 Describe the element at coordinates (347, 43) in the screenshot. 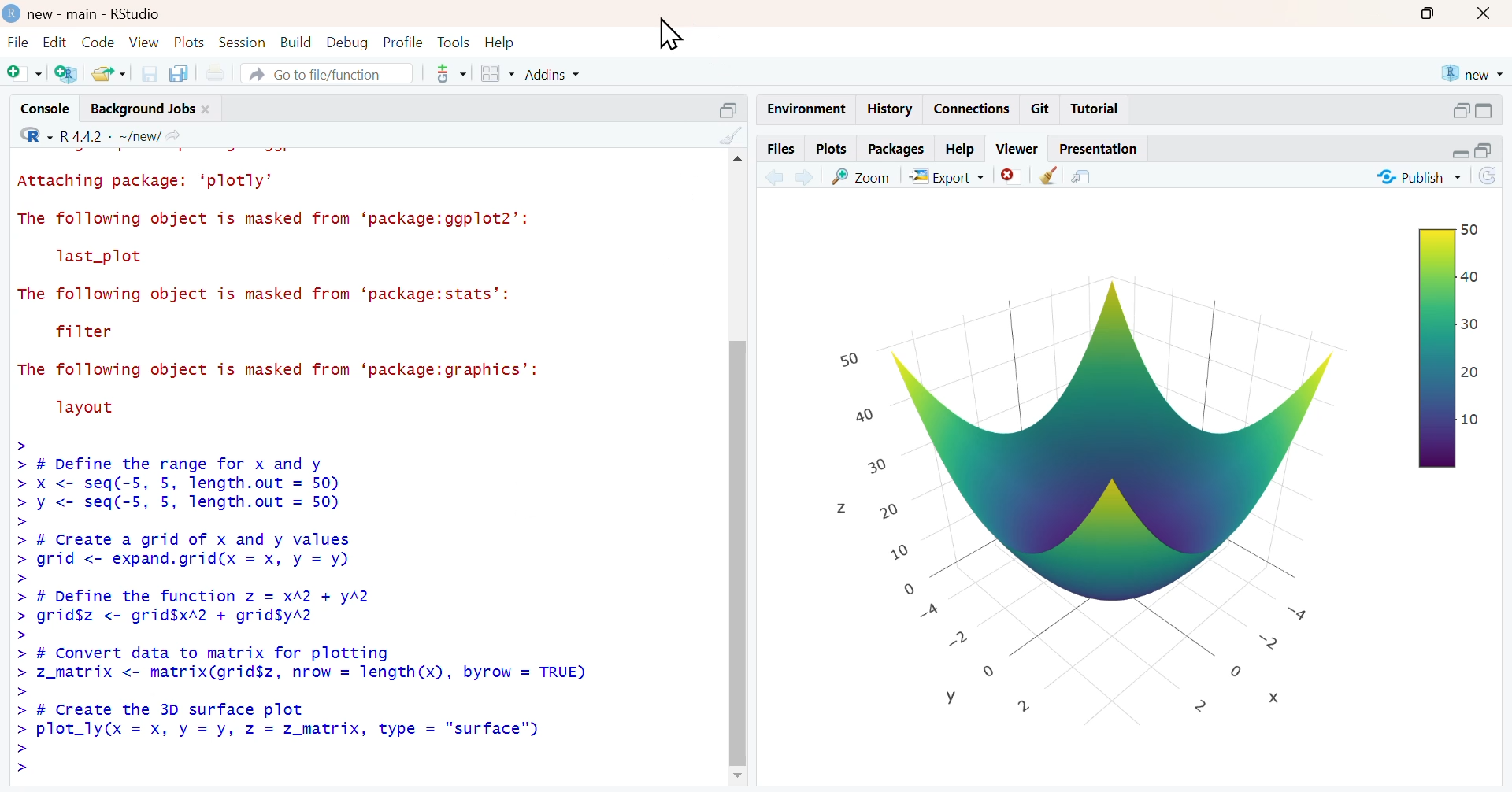

I see `debug` at that location.